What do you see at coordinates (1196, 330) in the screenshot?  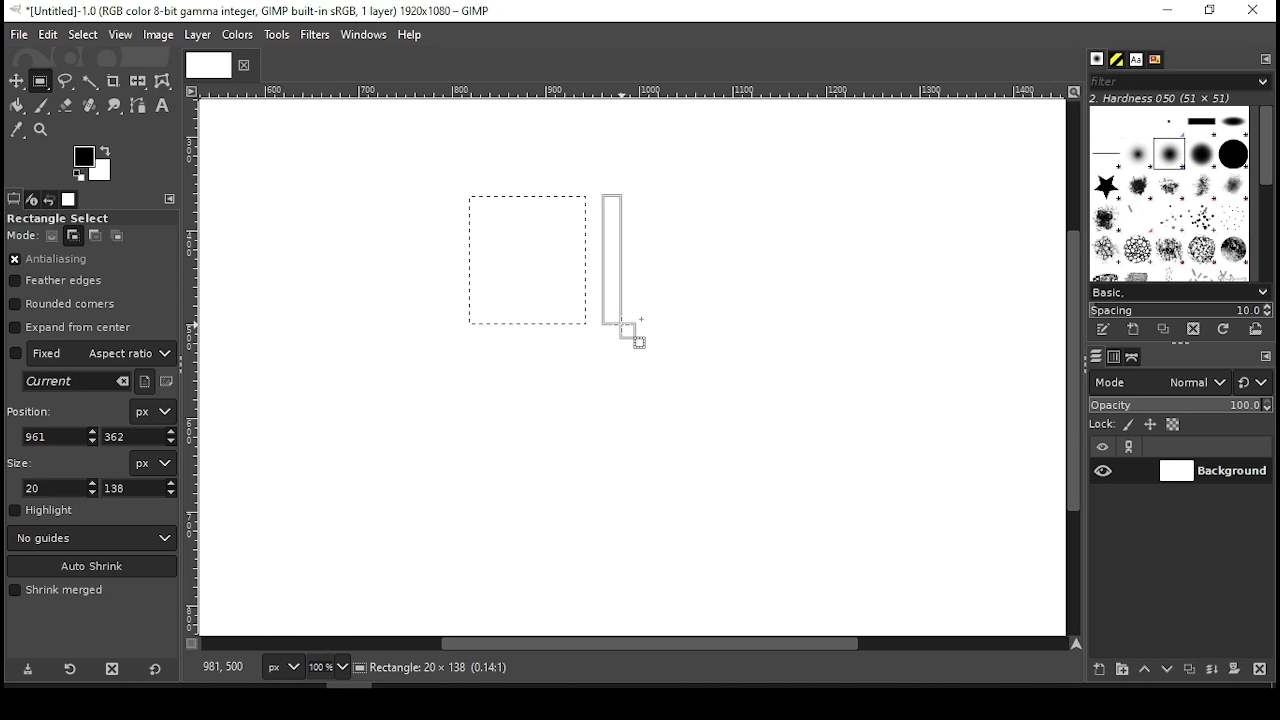 I see `delete brush` at bounding box center [1196, 330].